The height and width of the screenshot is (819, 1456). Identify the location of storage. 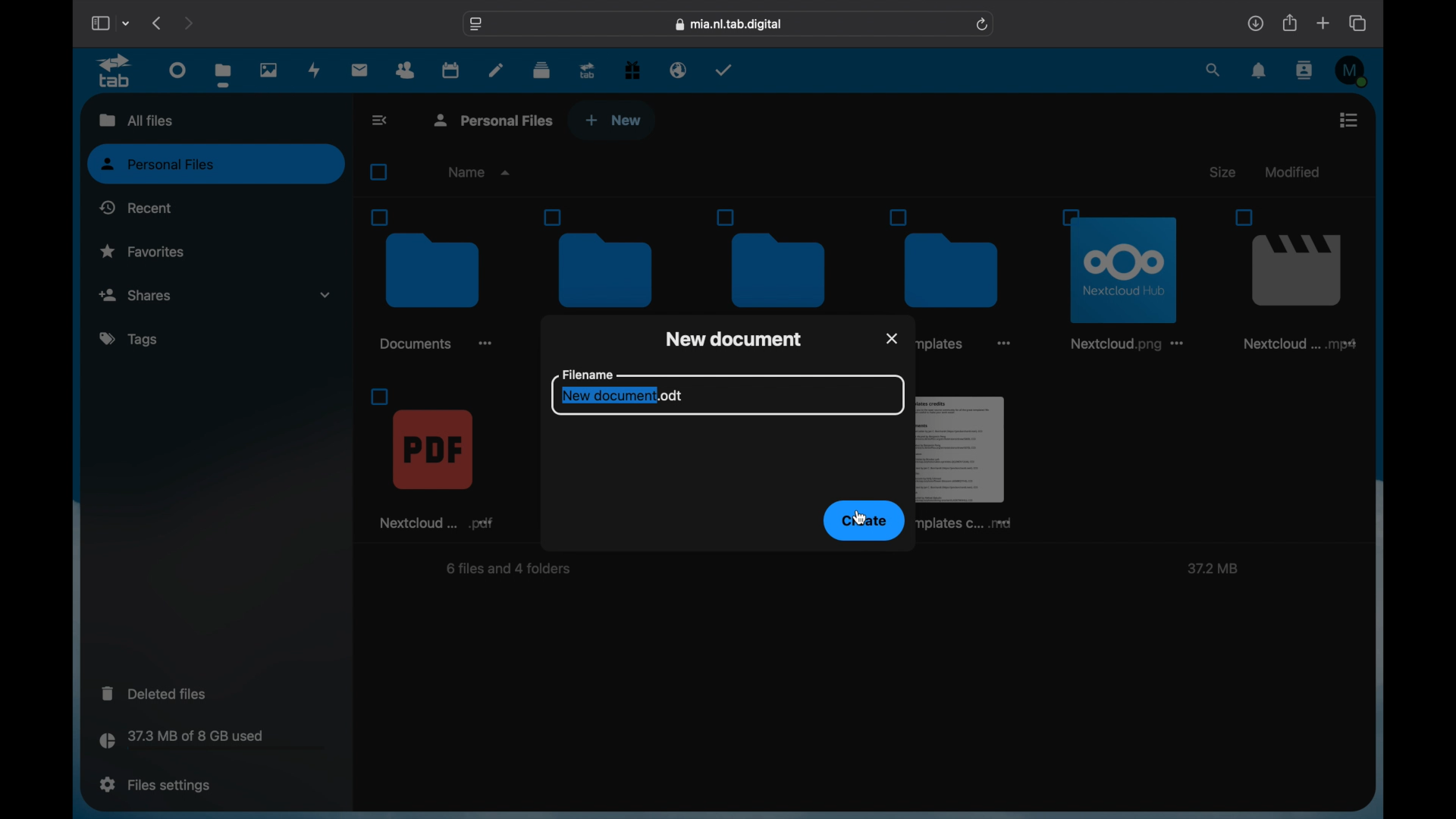
(212, 742).